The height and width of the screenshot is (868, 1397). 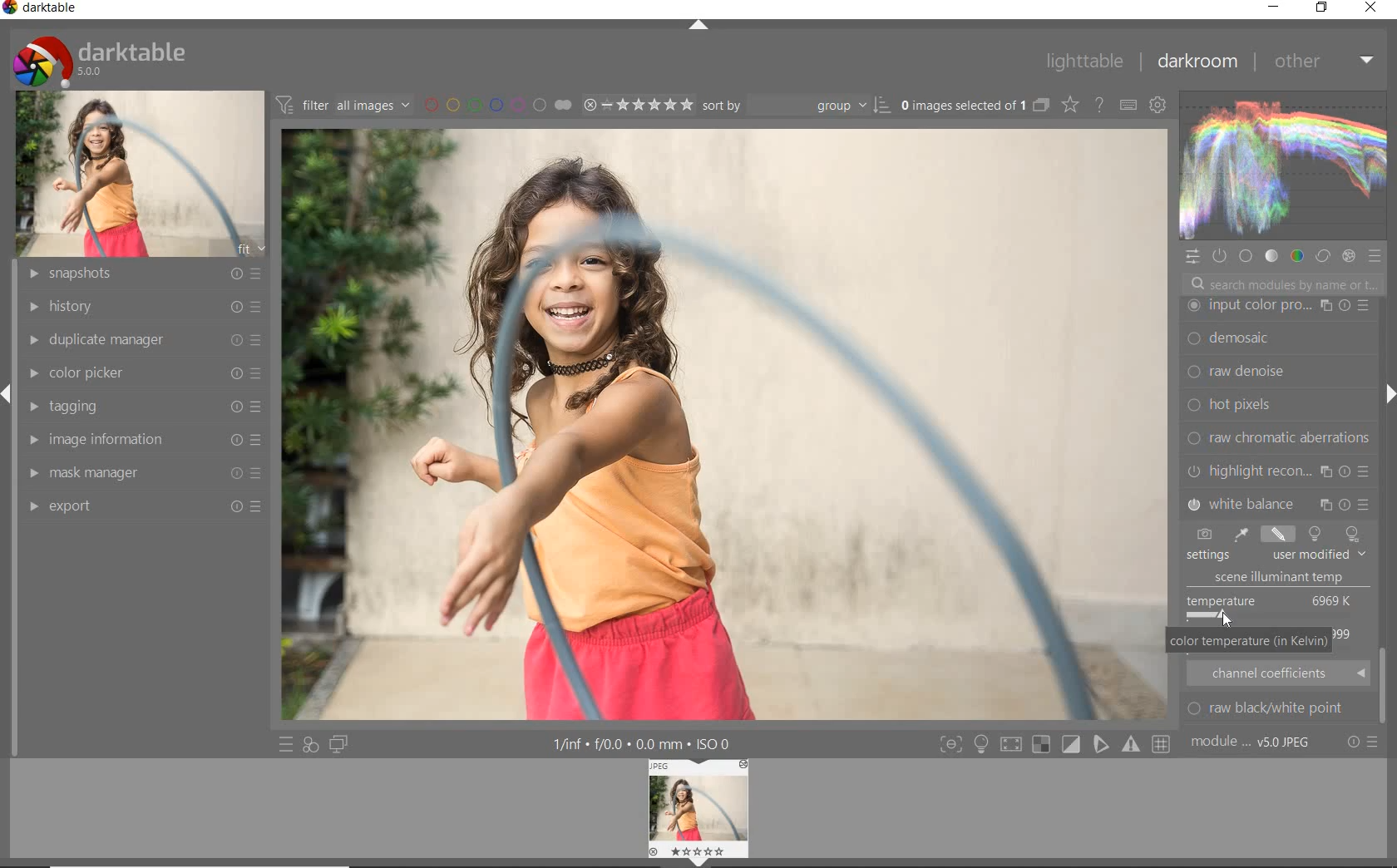 What do you see at coordinates (1279, 673) in the screenshot?
I see `CHANNEL COEFFICIENTS` at bounding box center [1279, 673].